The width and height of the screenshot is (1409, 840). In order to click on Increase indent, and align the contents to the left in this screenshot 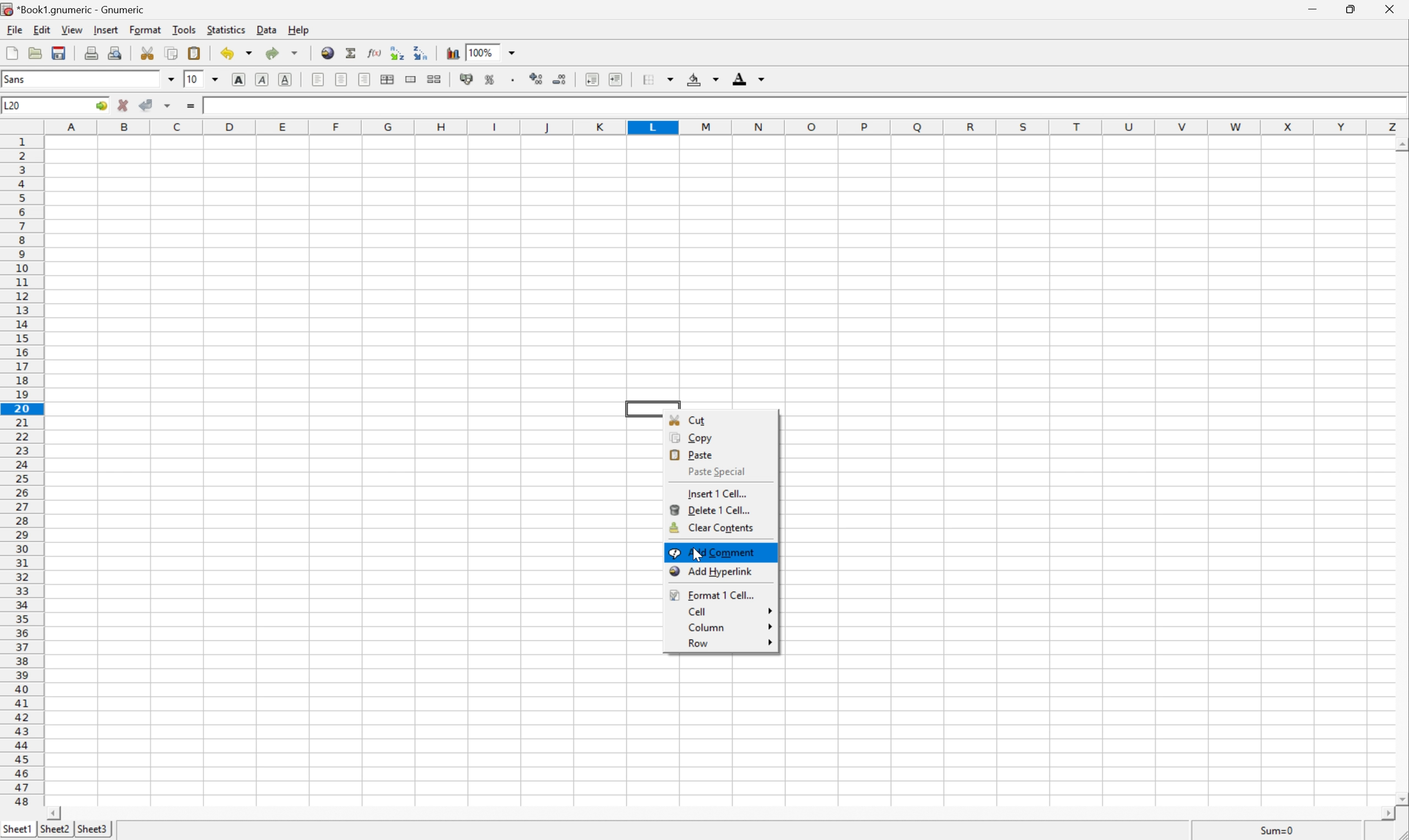, I will do `click(616, 79)`.